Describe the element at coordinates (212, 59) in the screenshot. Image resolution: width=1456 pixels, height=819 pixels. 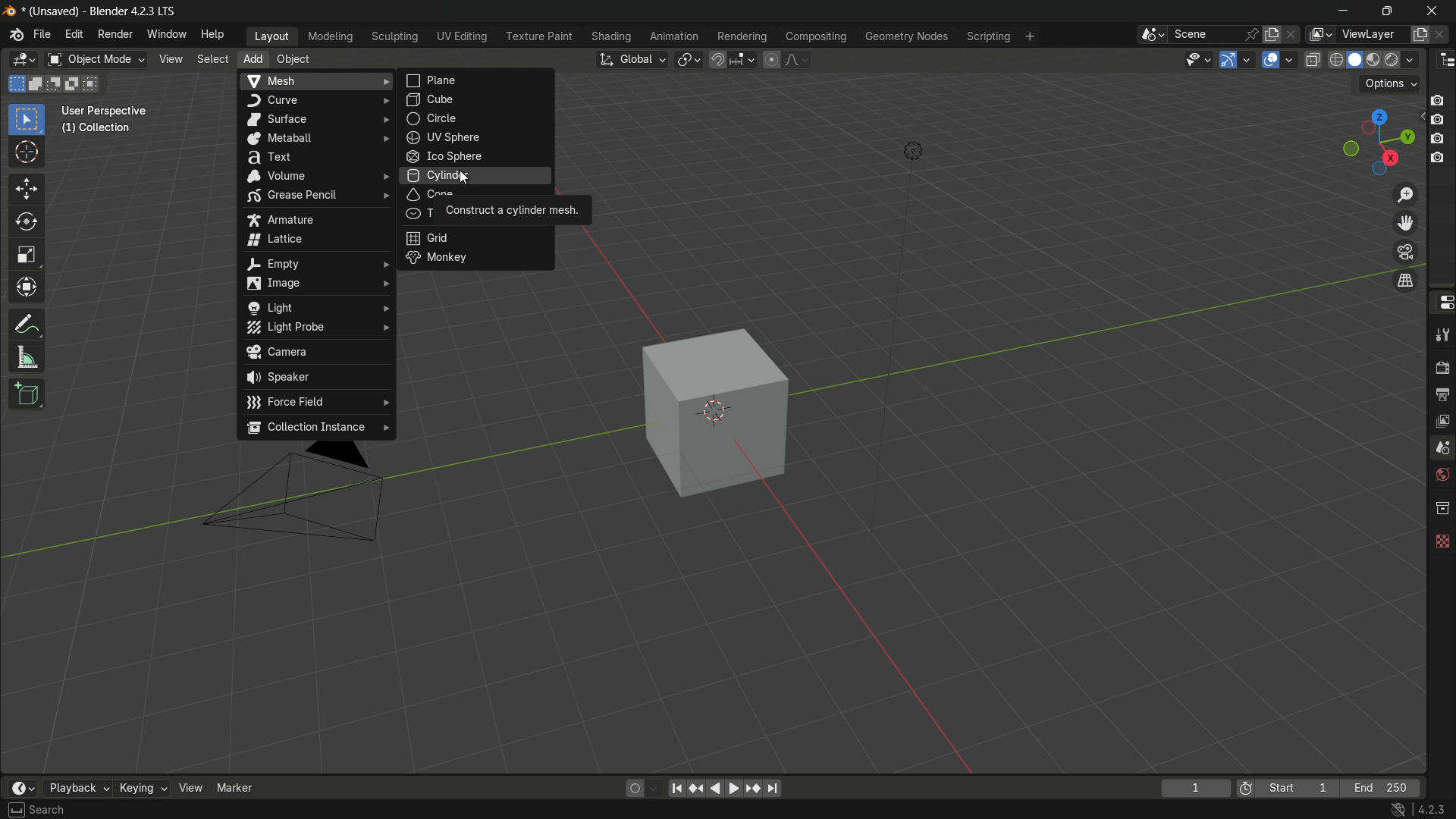
I see `select` at that location.